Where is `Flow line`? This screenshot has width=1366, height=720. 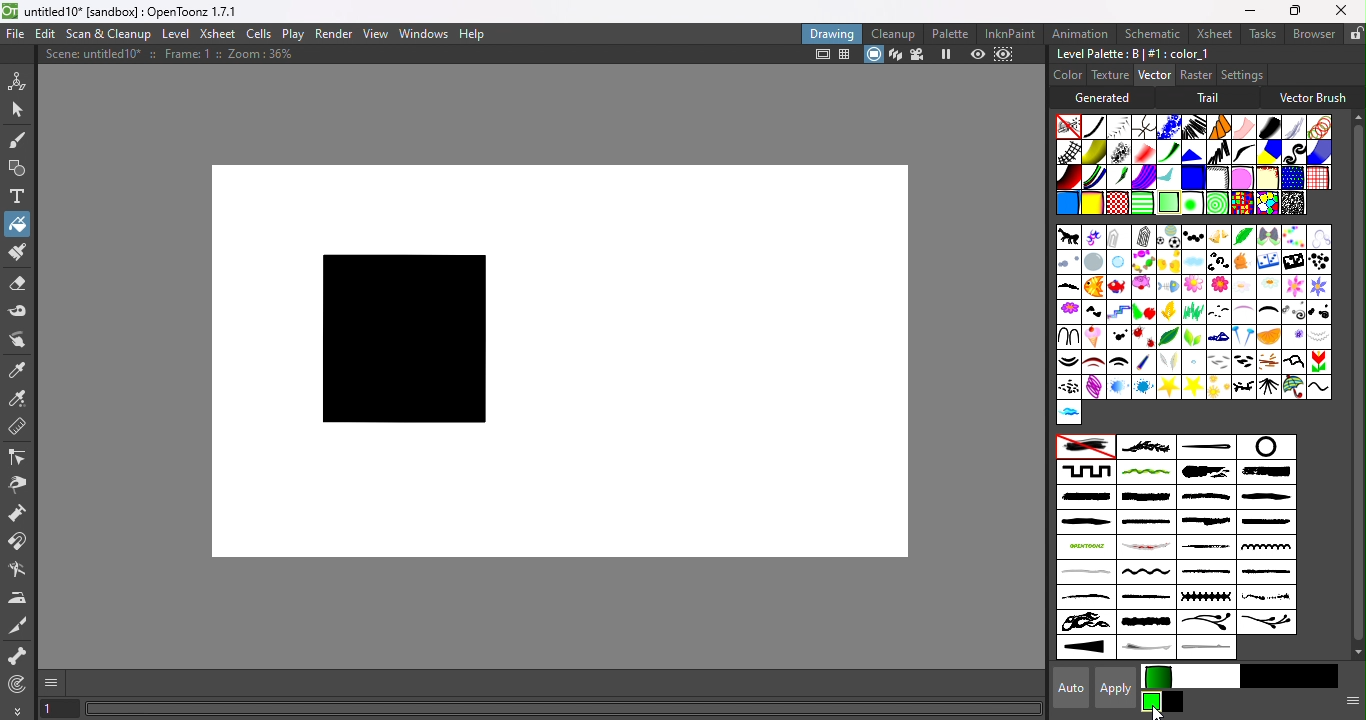
Flow line is located at coordinates (1167, 179).